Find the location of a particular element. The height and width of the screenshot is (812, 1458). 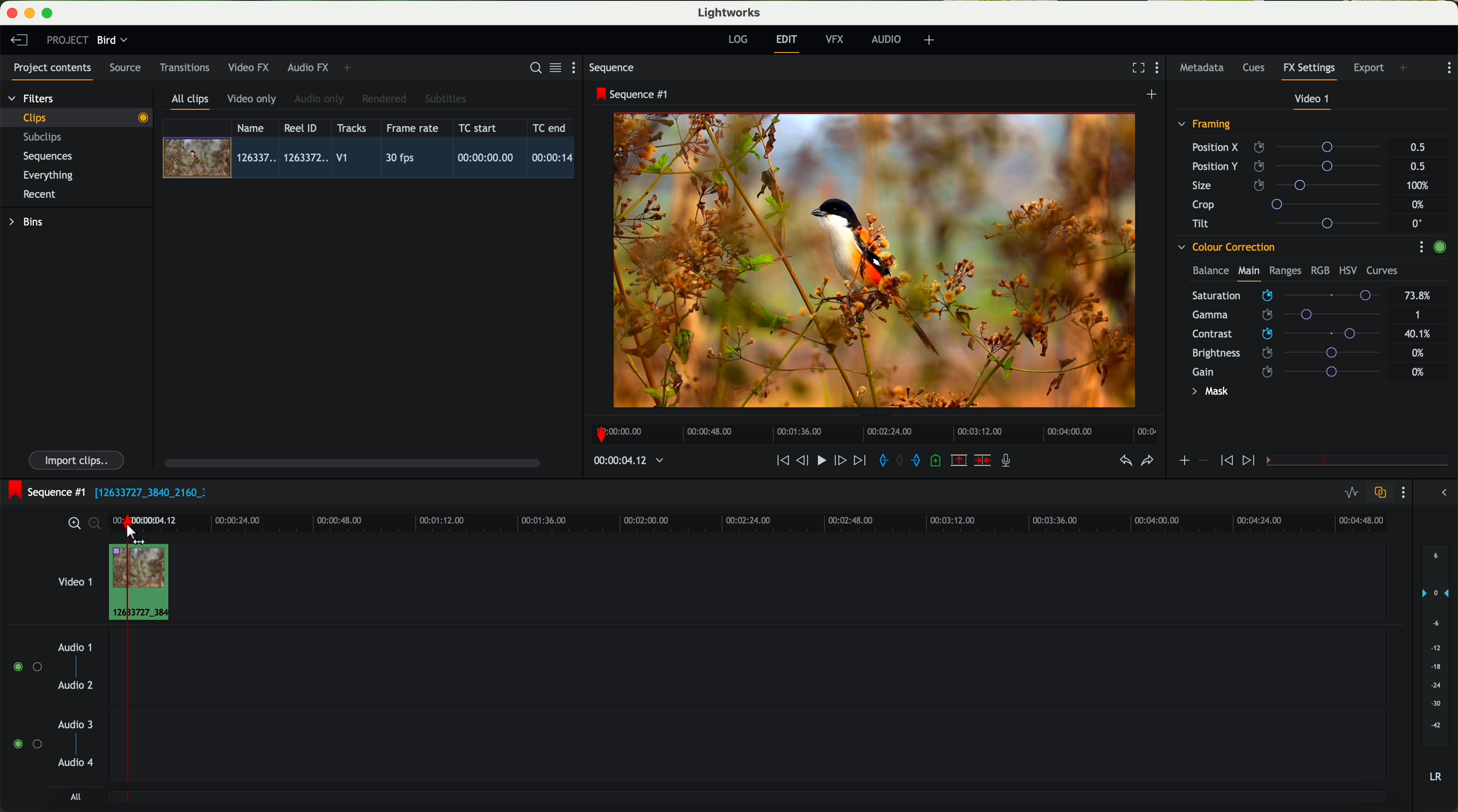

40.1% is located at coordinates (1421, 334).